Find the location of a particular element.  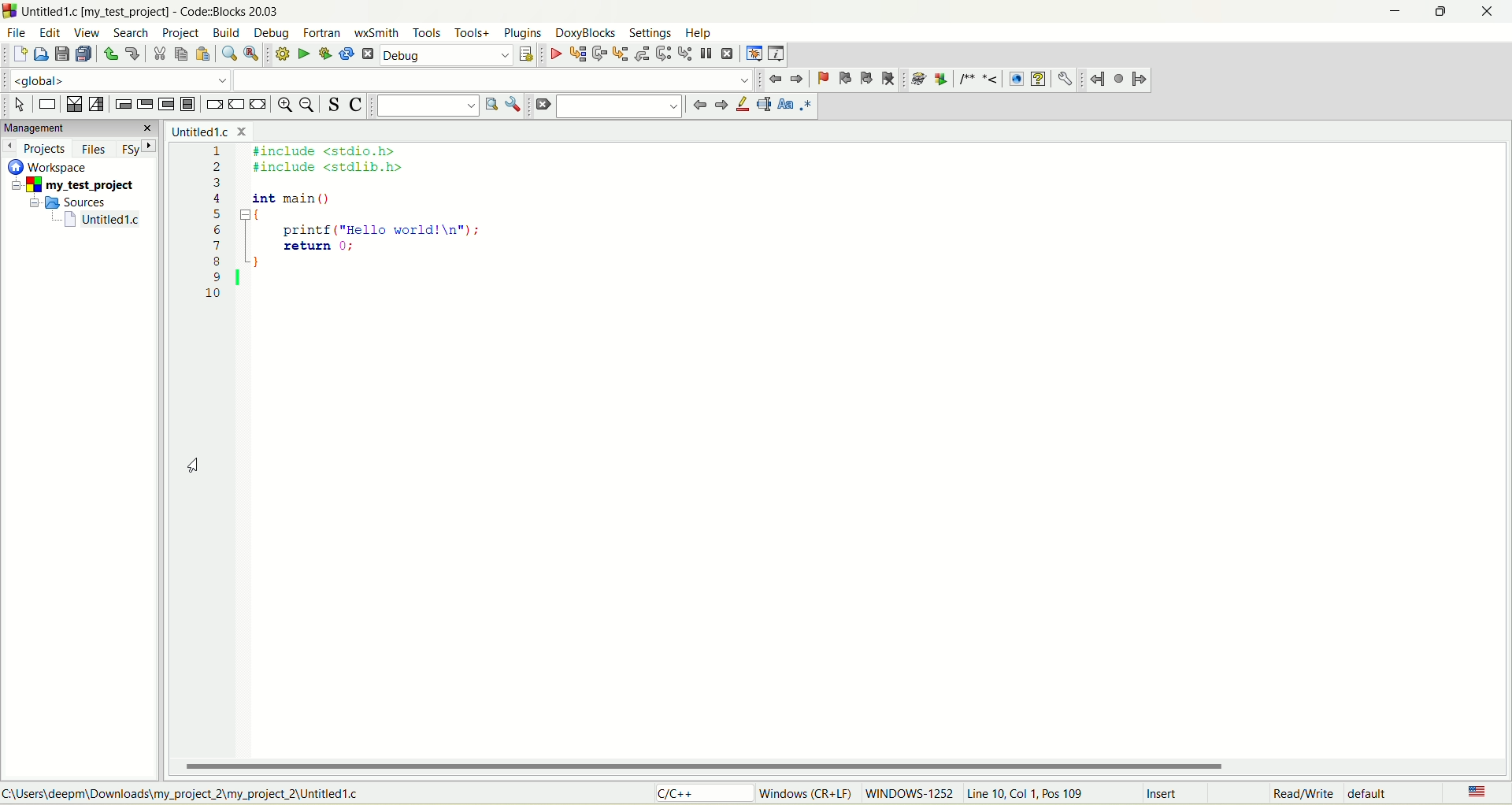

text search is located at coordinates (424, 108).